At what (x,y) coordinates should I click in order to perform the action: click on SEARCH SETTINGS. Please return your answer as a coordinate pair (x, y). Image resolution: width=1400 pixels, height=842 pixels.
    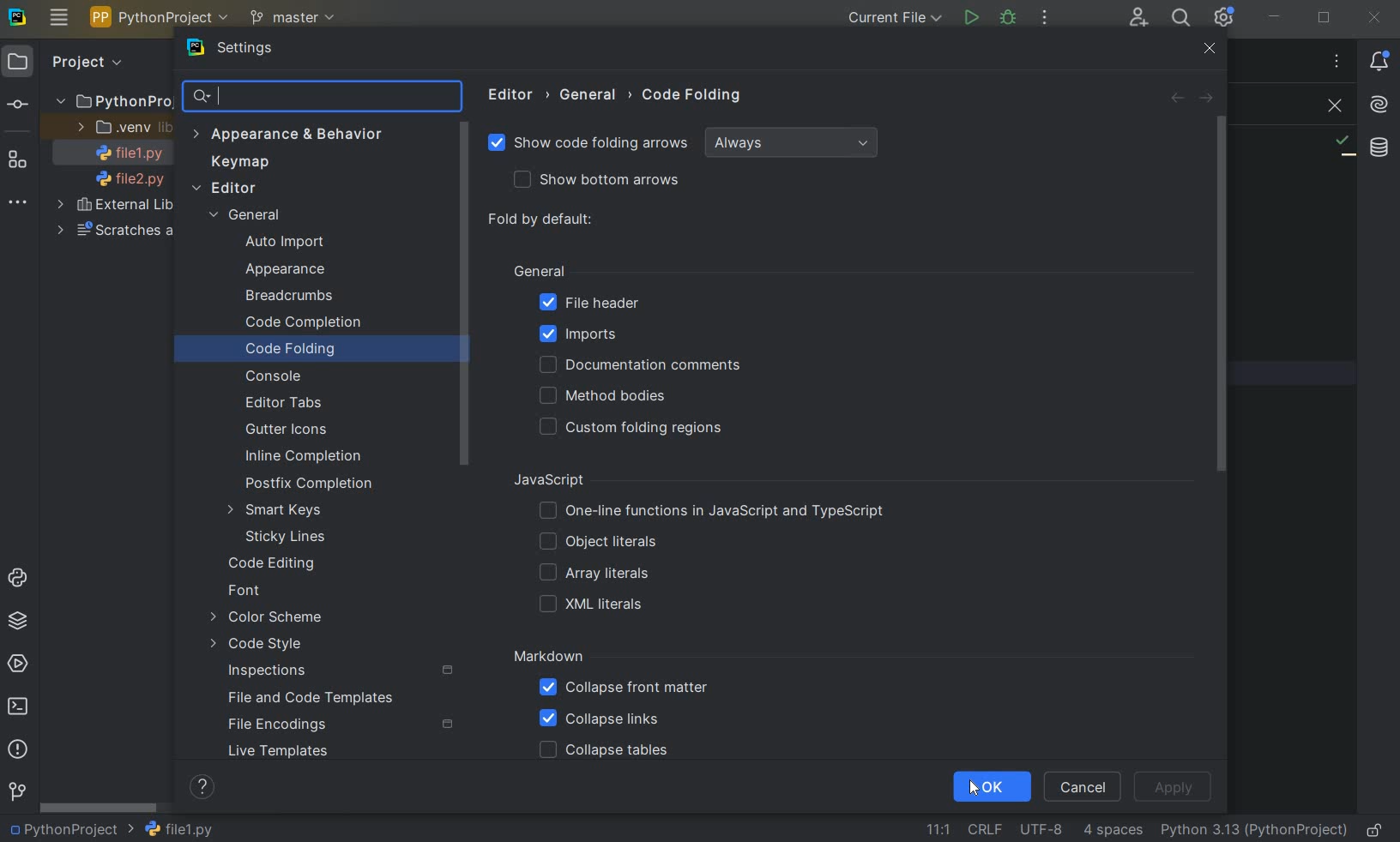
    Looking at the image, I should click on (321, 98).